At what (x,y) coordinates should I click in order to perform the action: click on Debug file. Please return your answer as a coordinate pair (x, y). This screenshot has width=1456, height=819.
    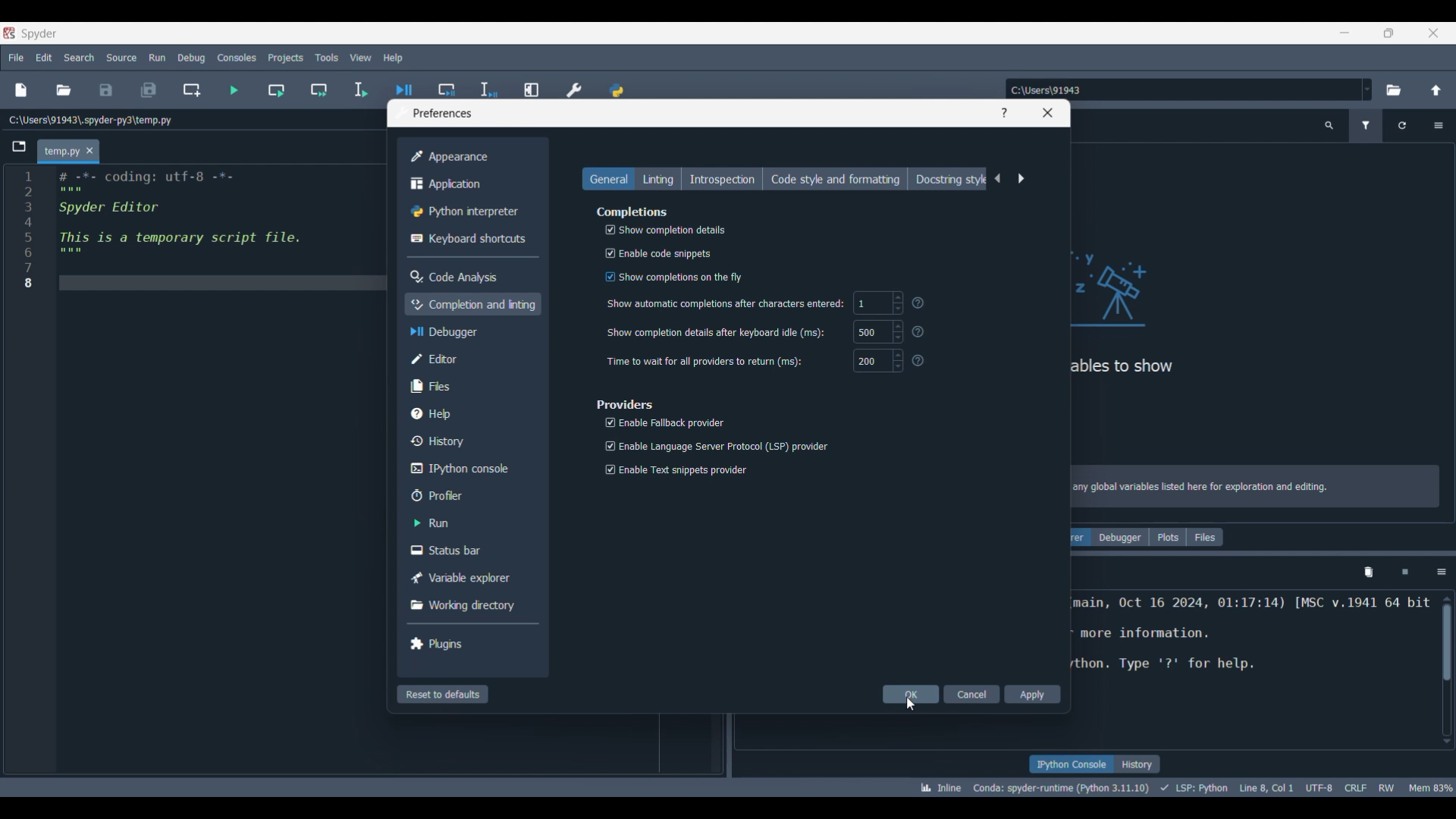
    Looking at the image, I should click on (404, 84).